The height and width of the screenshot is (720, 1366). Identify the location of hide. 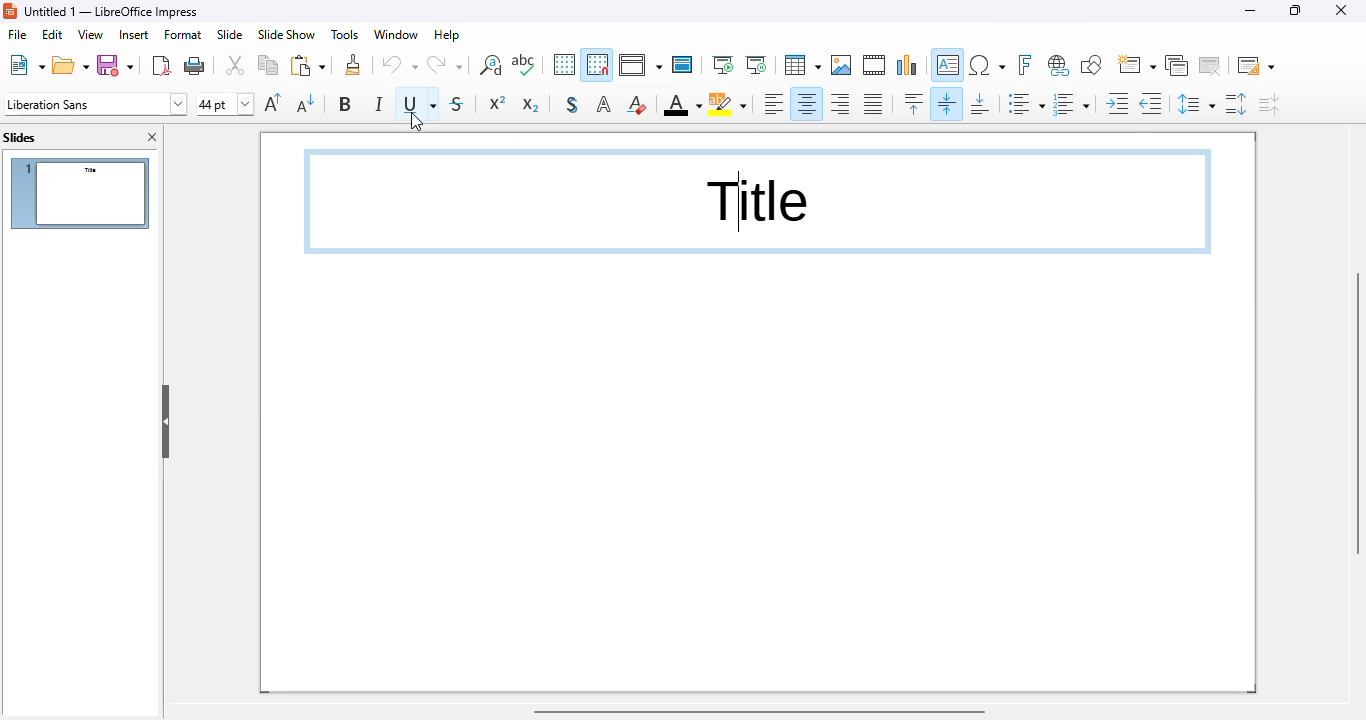
(165, 421).